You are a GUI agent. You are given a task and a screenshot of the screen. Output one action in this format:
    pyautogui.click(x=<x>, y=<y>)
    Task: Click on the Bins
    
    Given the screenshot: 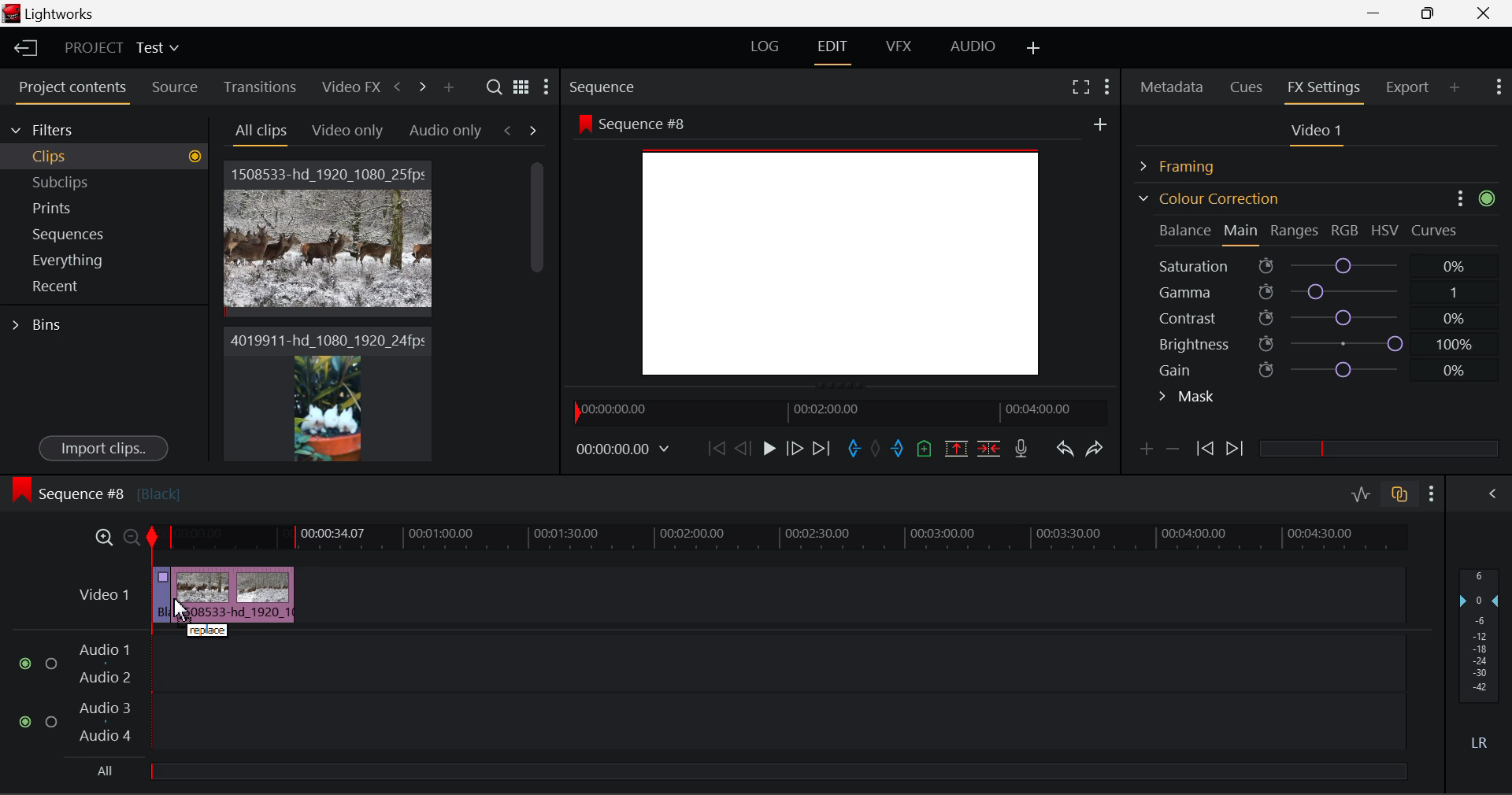 What is the action you would take?
    pyautogui.click(x=42, y=323)
    